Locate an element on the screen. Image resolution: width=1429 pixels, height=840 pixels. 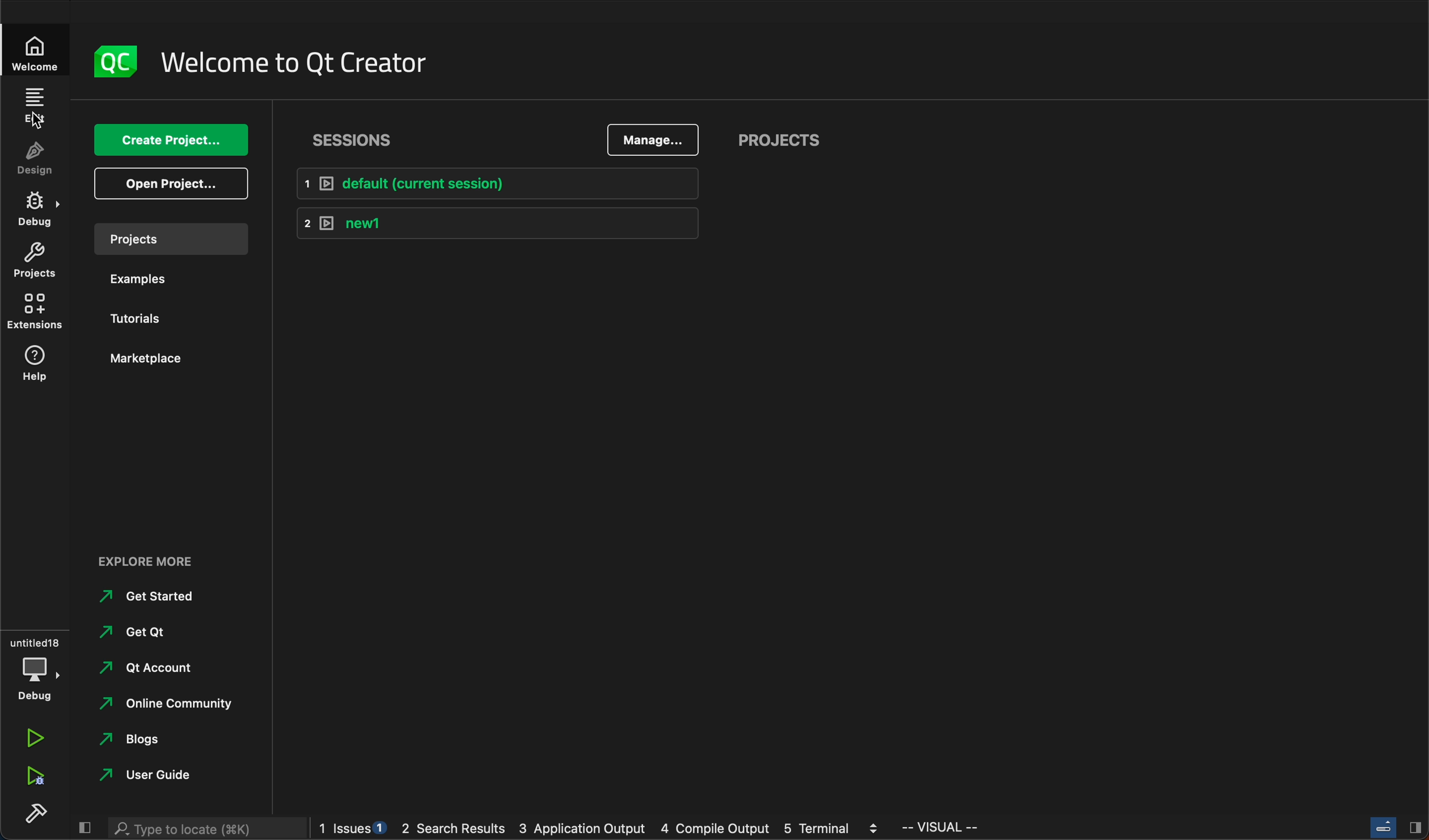
close slidebar is located at coordinates (85, 827).